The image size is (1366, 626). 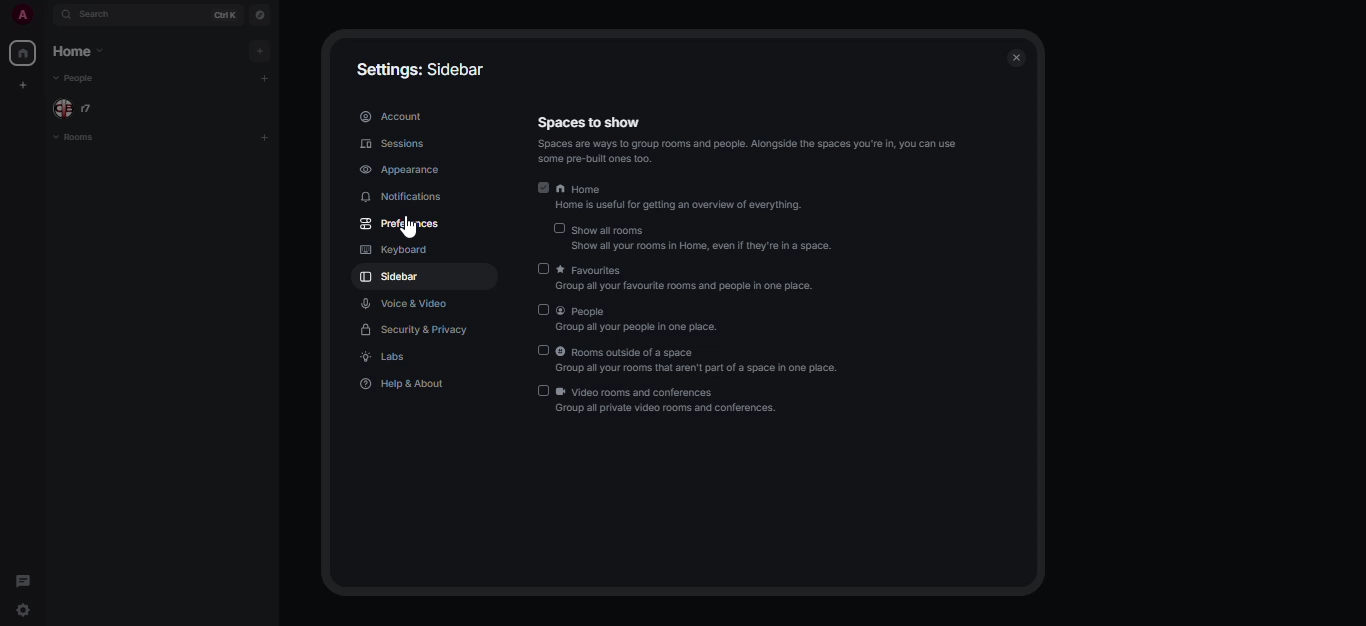 What do you see at coordinates (545, 350) in the screenshot?
I see `disabled` at bounding box center [545, 350].